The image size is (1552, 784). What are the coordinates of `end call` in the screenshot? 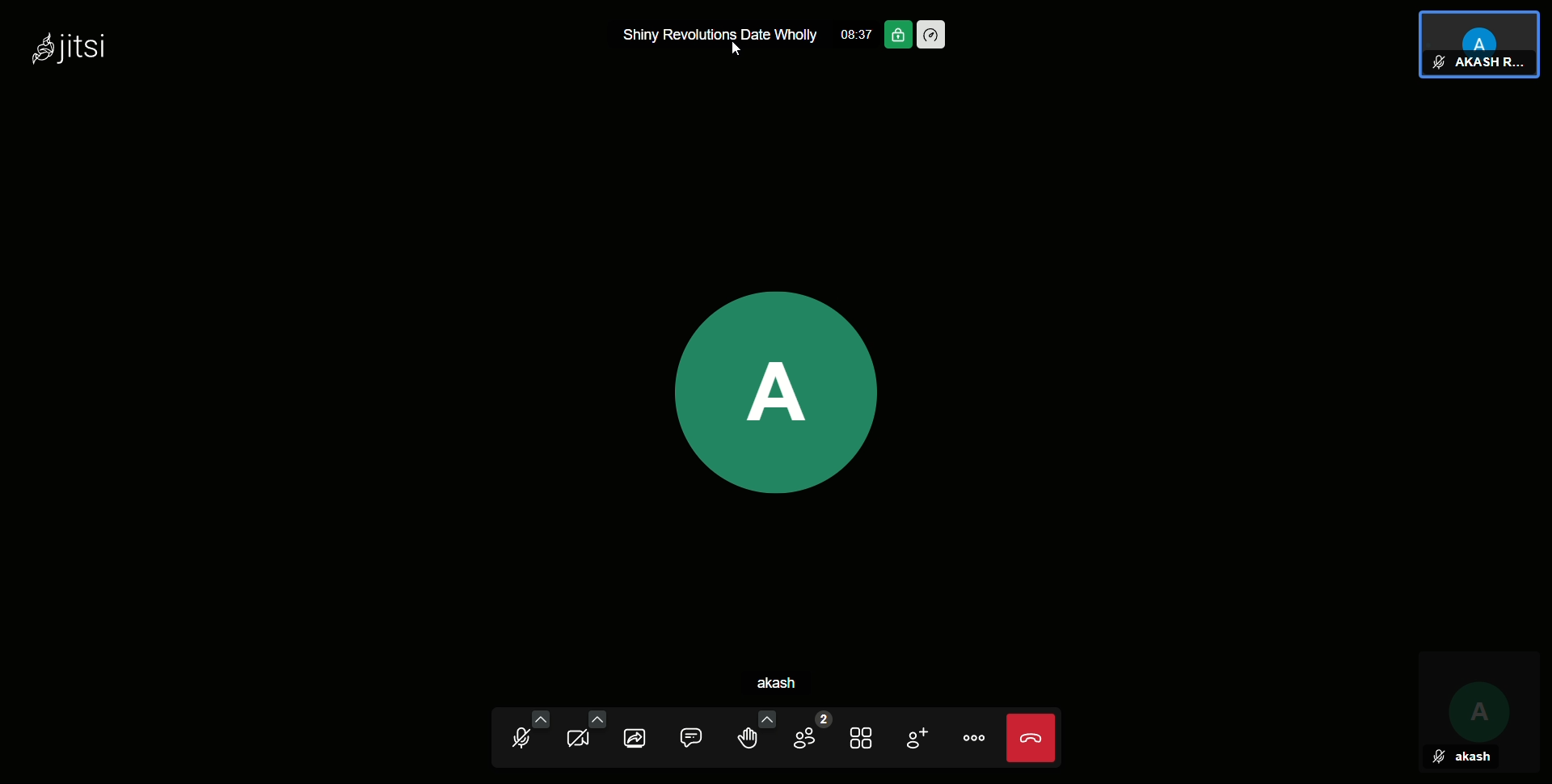 It's located at (1030, 737).